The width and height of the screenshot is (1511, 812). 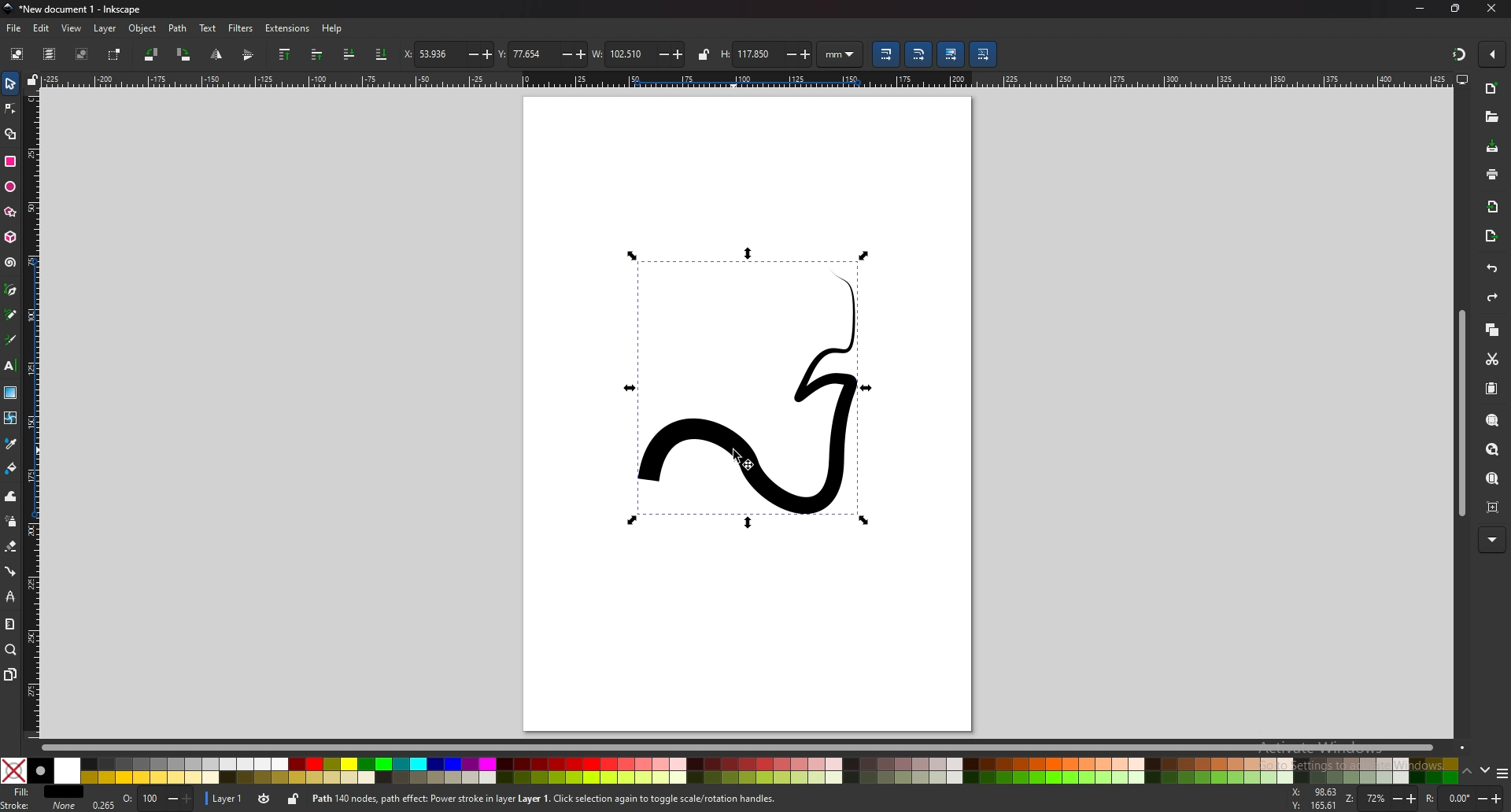 I want to click on edit, so click(x=41, y=28).